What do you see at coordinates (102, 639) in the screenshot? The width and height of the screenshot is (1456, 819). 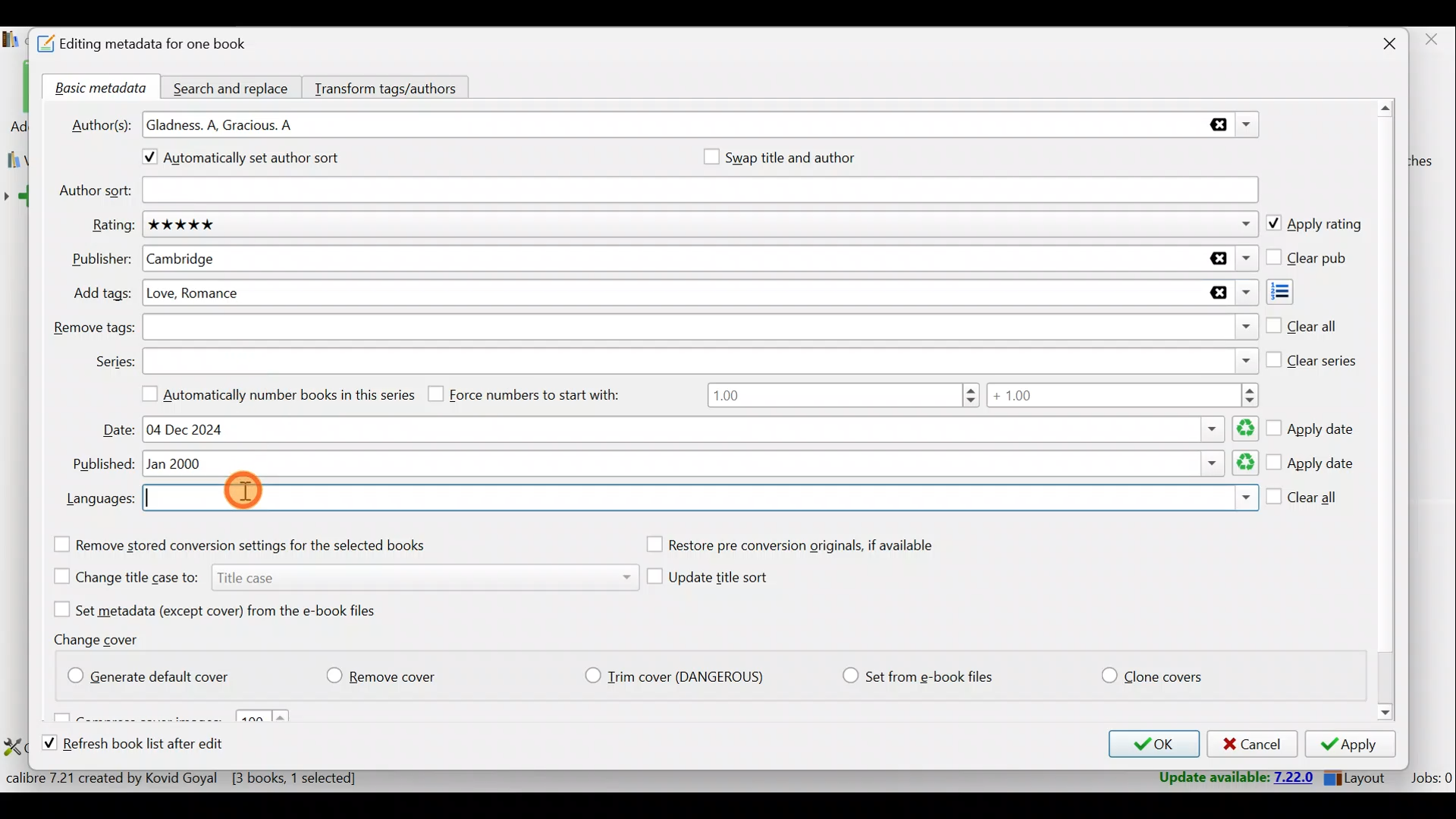 I see `Change cover` at bounding box center [102, 639].